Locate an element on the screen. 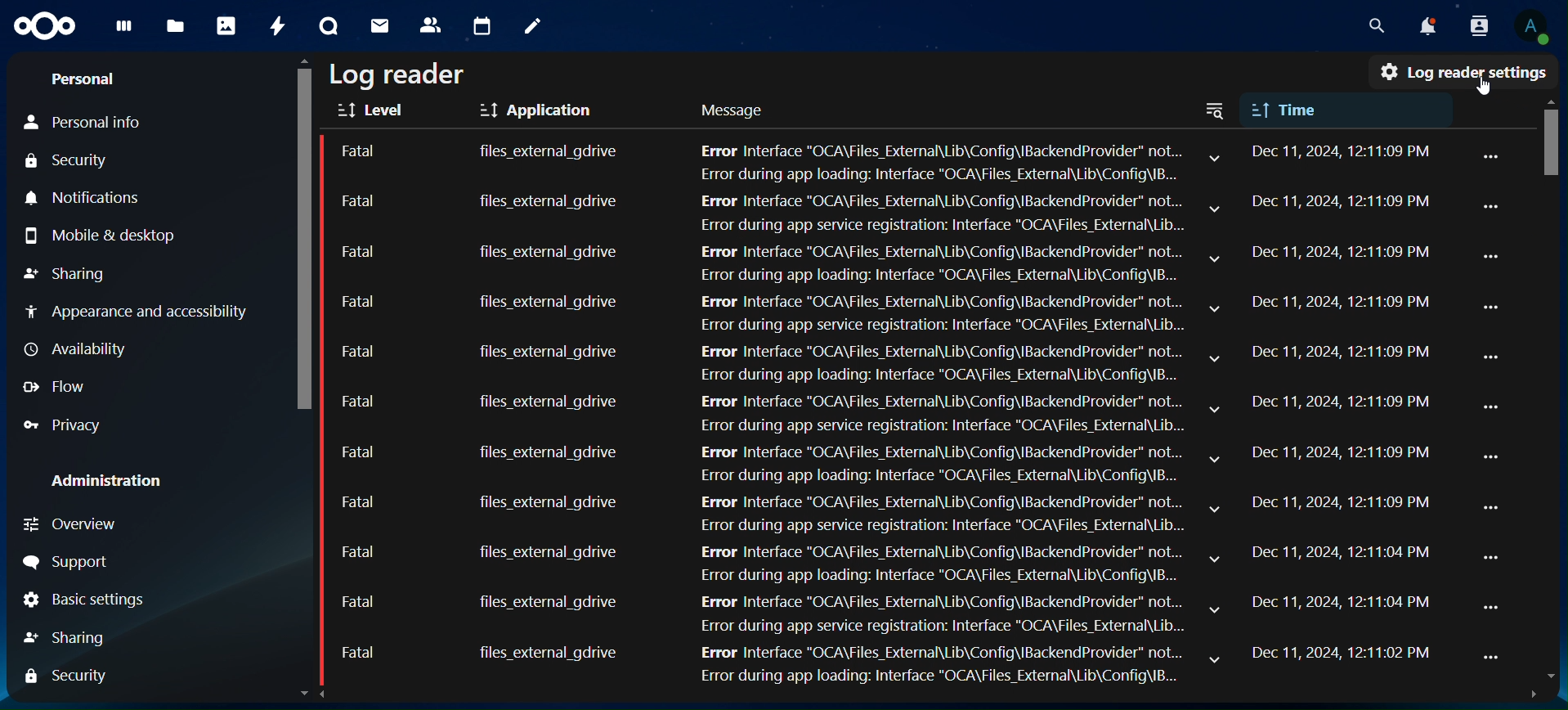 The width and height of the screenshot is (1568, 710). ... is located at coordinates (1494, 456).